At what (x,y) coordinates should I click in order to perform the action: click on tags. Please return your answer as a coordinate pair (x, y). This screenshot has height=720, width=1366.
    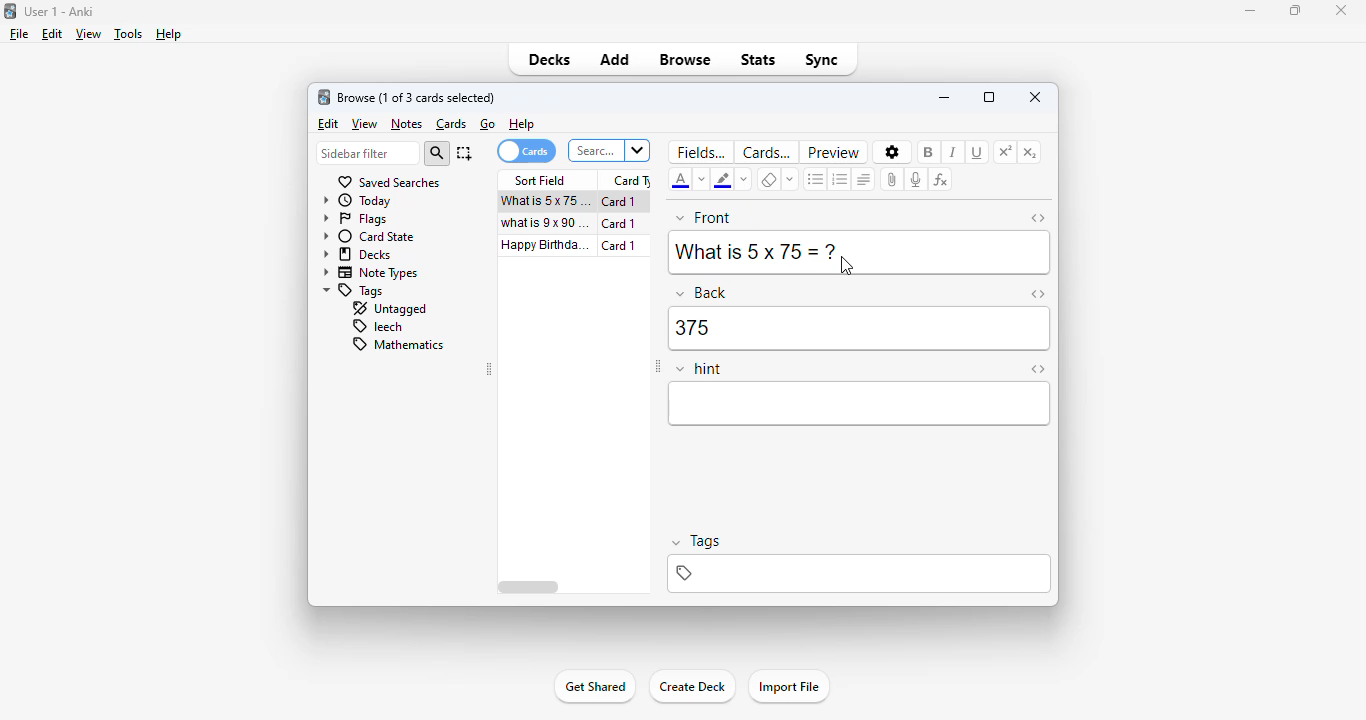
    Looking at the image, I should click on (354, 292).